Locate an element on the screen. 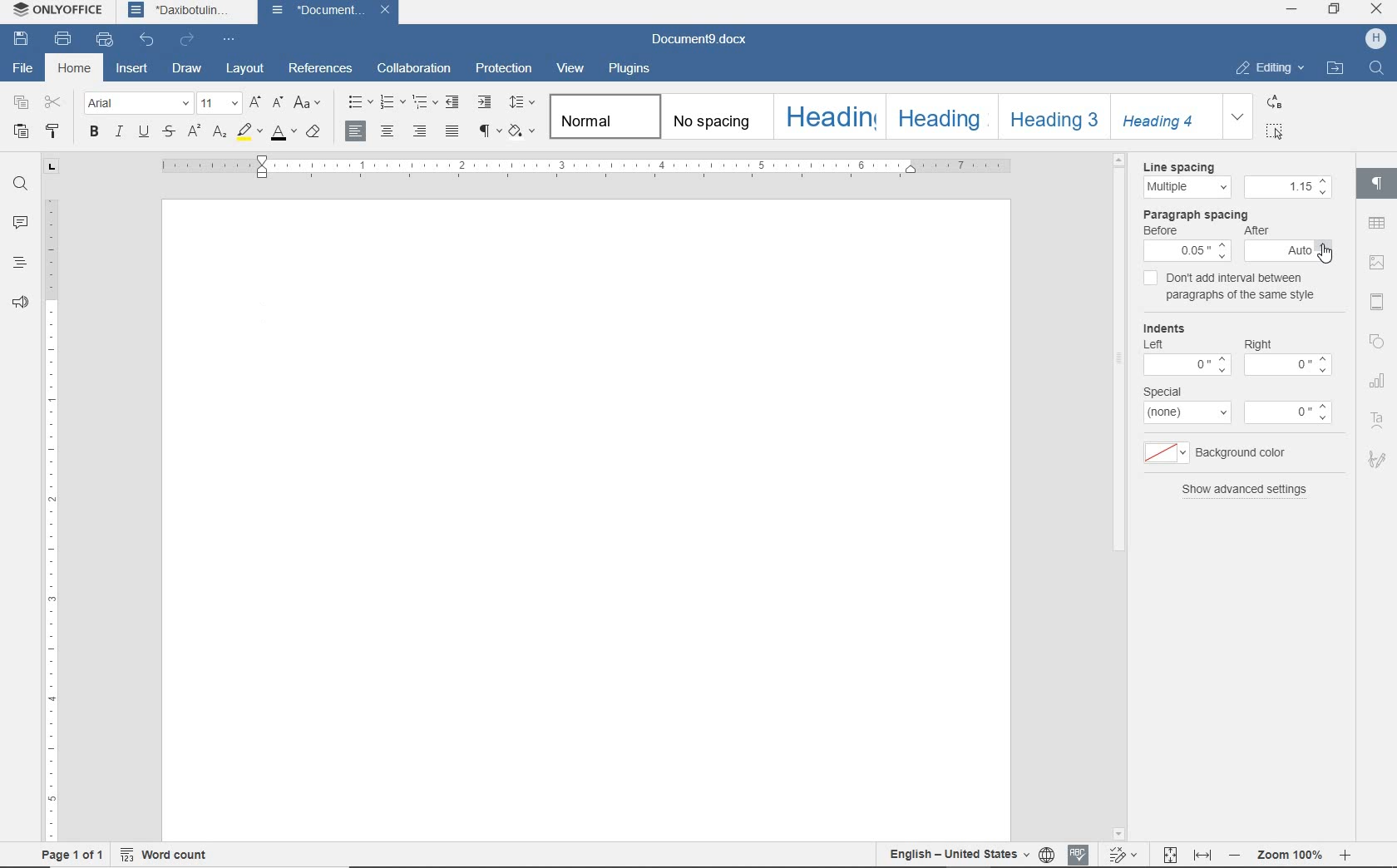 The image size is (1397, 868). strikethrough is located at coordinates (170, 131).